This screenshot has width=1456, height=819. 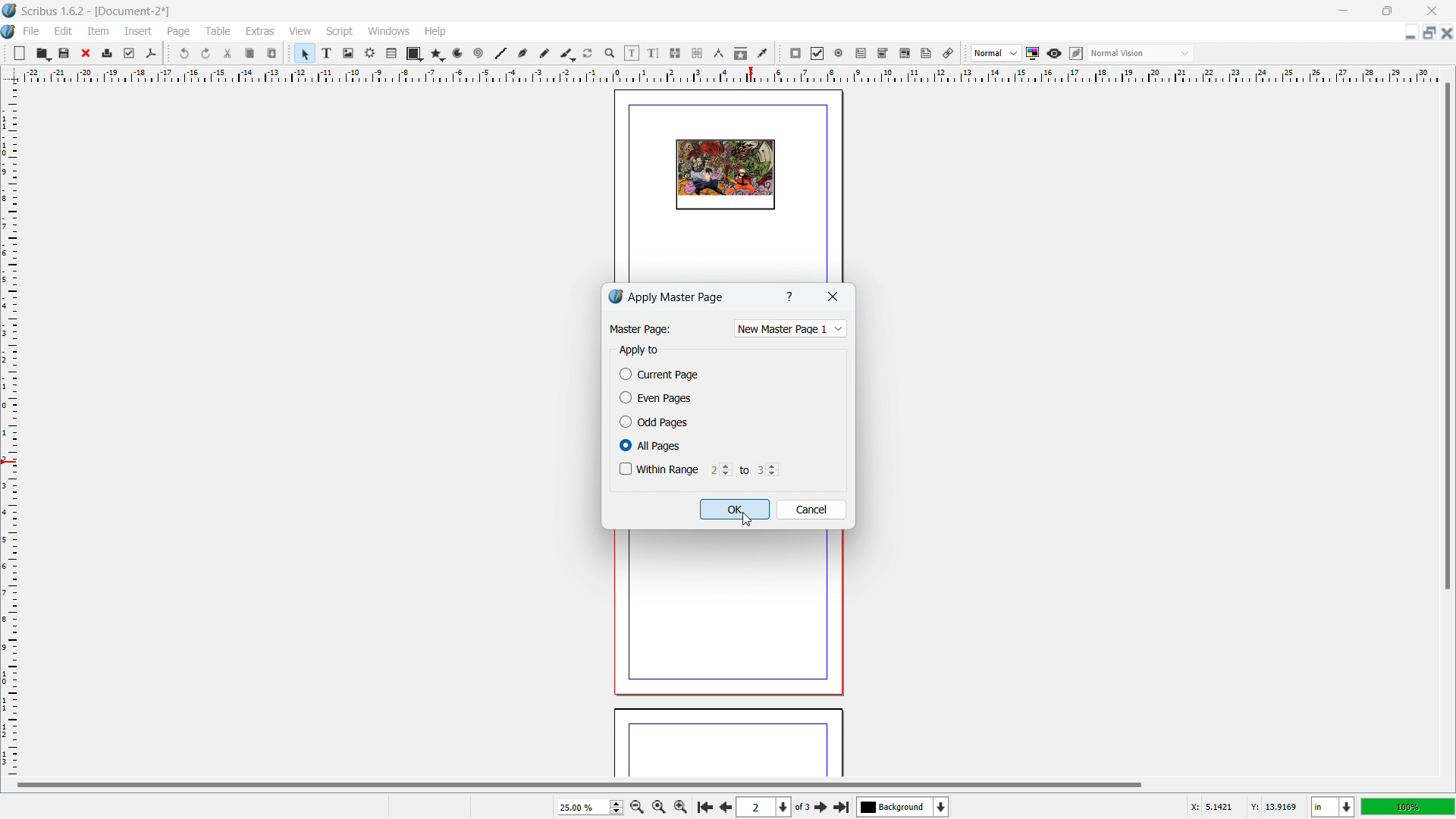 What do you see at coordinates (723, 805) in the screenshot?
I see `next page` at bounding box center [723, 805].